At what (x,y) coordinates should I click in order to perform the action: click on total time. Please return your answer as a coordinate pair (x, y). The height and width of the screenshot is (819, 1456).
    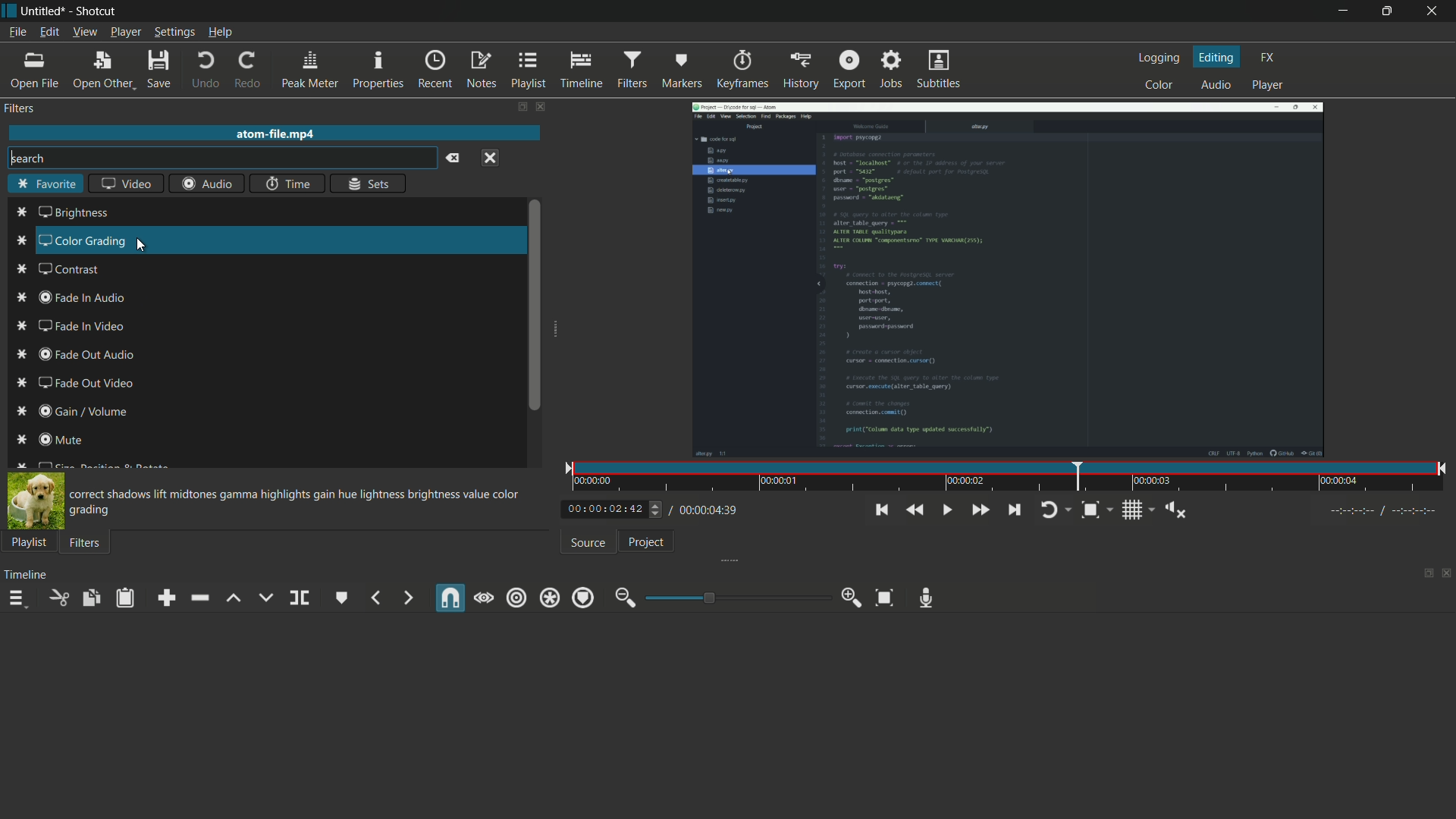
    Looking at the image, I should click on (704, 510).